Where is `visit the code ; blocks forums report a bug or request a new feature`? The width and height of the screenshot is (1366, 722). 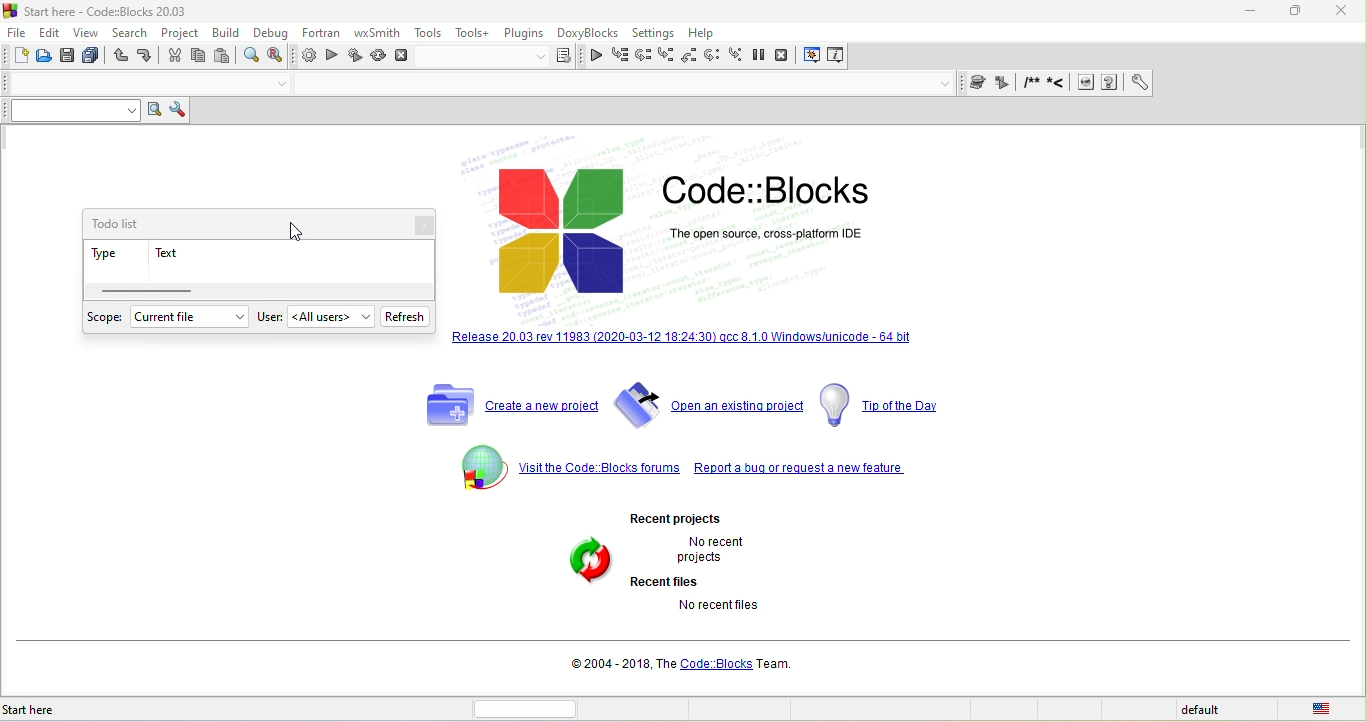
visit the code ; blocks forums report a bug or request a new feature is located at coordinates (683, 469).